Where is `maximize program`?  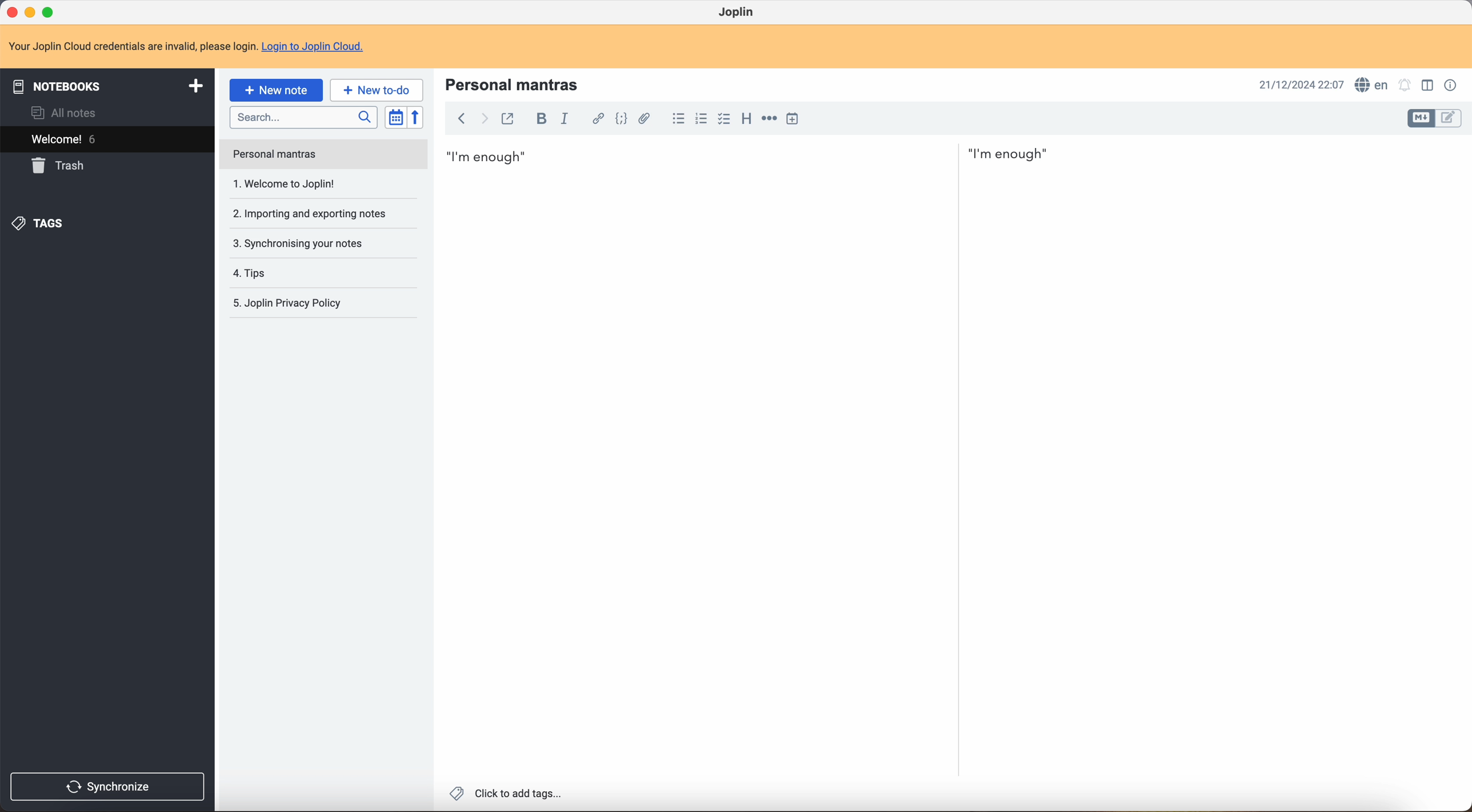 maximize program is located at coordinates (50, 11).